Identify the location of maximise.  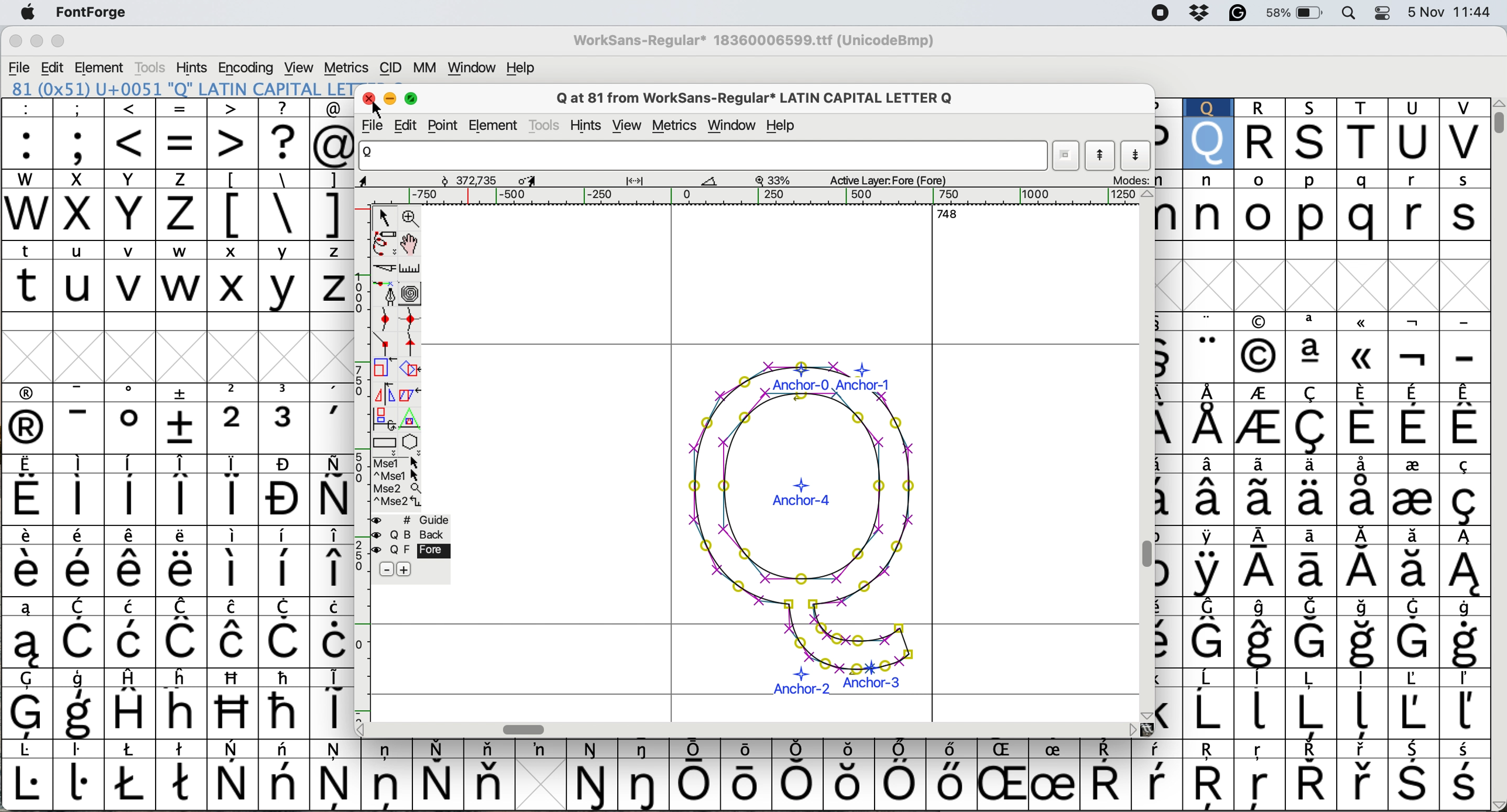
(59, 40).